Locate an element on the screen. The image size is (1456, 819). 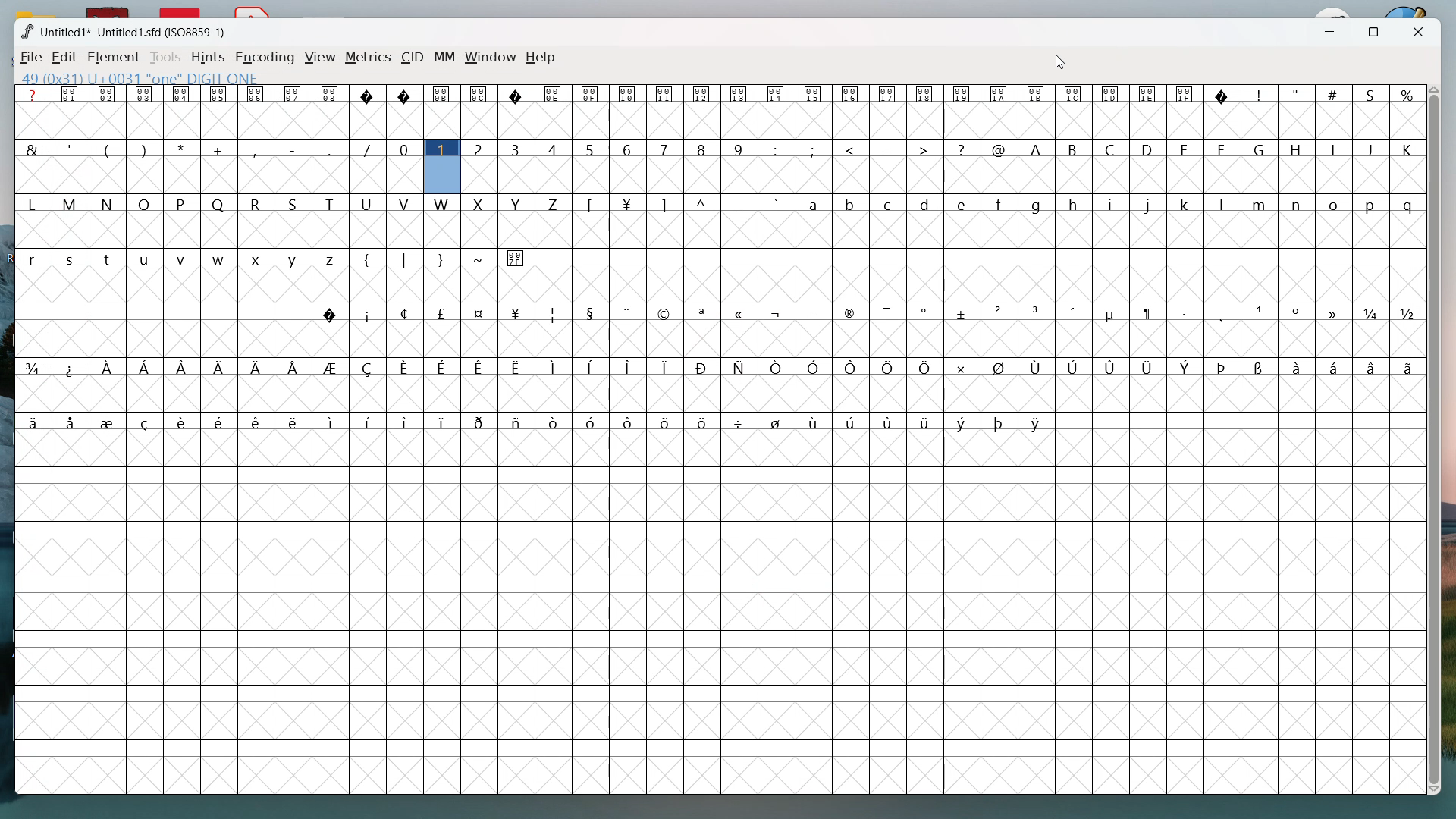
Untitled1 Untitled1 .sdf(ISO8859-1) is located at coordinates (131, 32).